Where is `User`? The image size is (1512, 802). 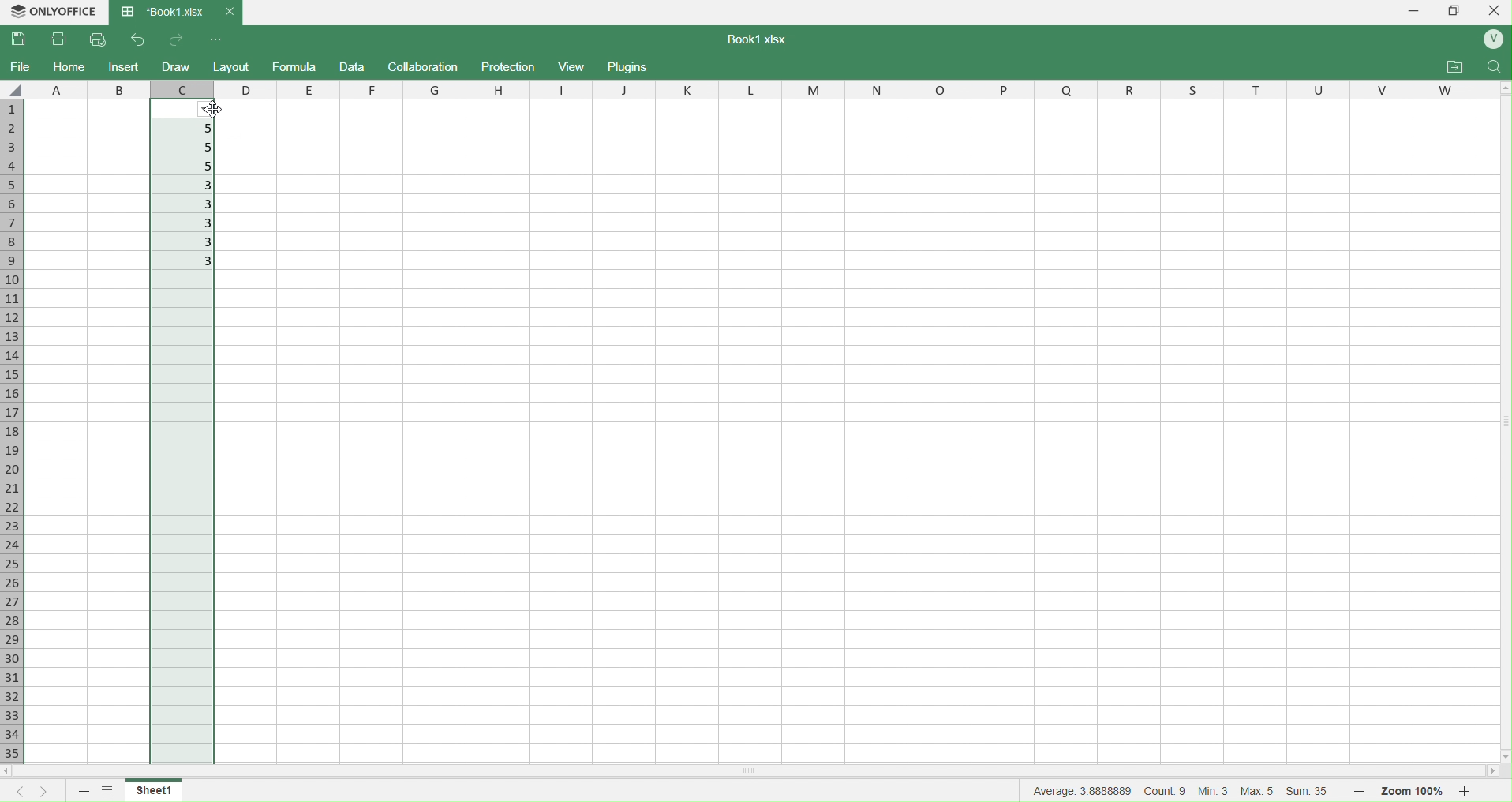
User is located at coordinates (1491, 40).